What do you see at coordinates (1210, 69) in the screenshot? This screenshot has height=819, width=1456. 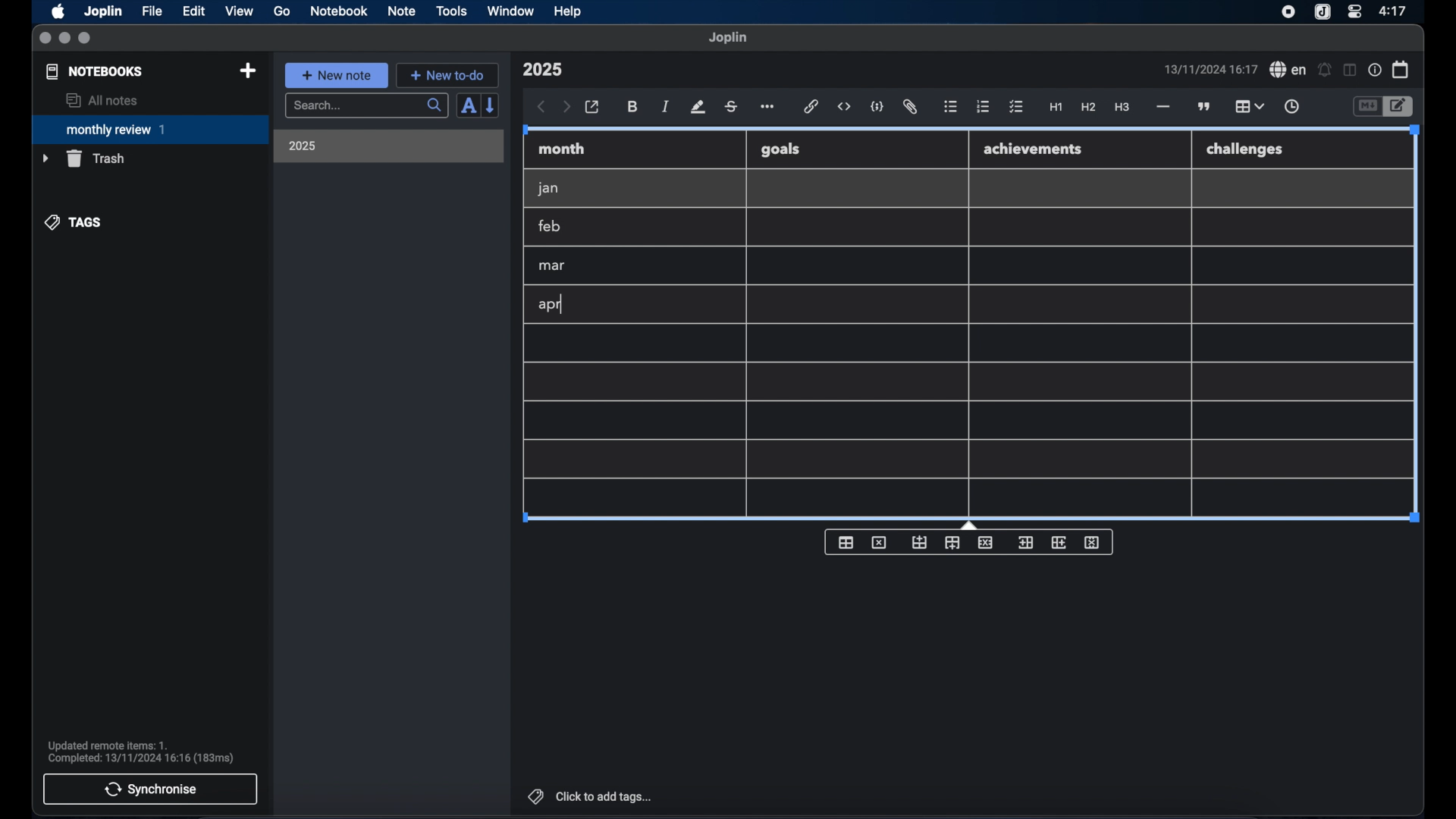 I see `date` at bounding box center [1210, 69].